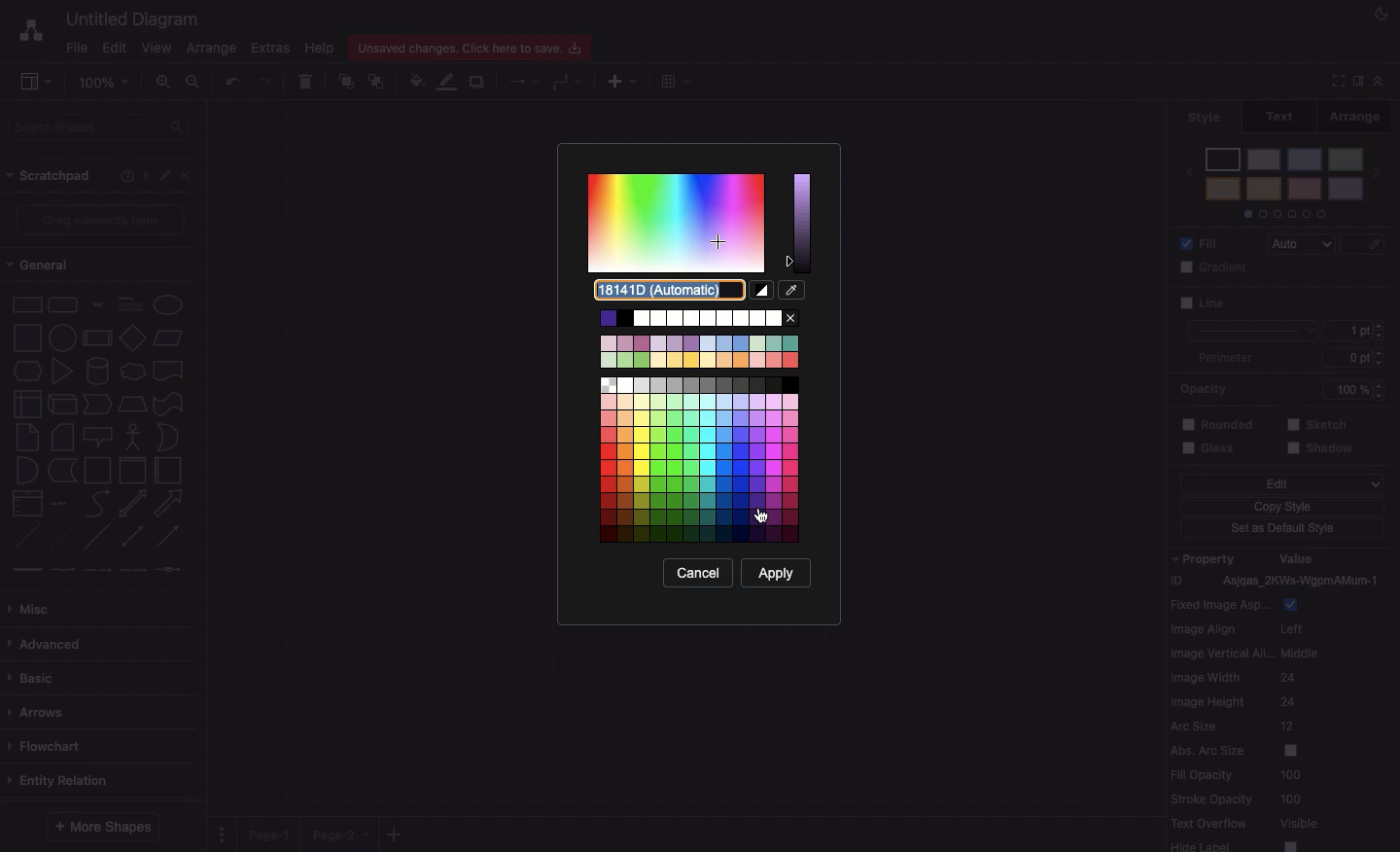 The height and width of the screenshot is (852, 1400). I want to click on Sidebar, so click(37, 83).